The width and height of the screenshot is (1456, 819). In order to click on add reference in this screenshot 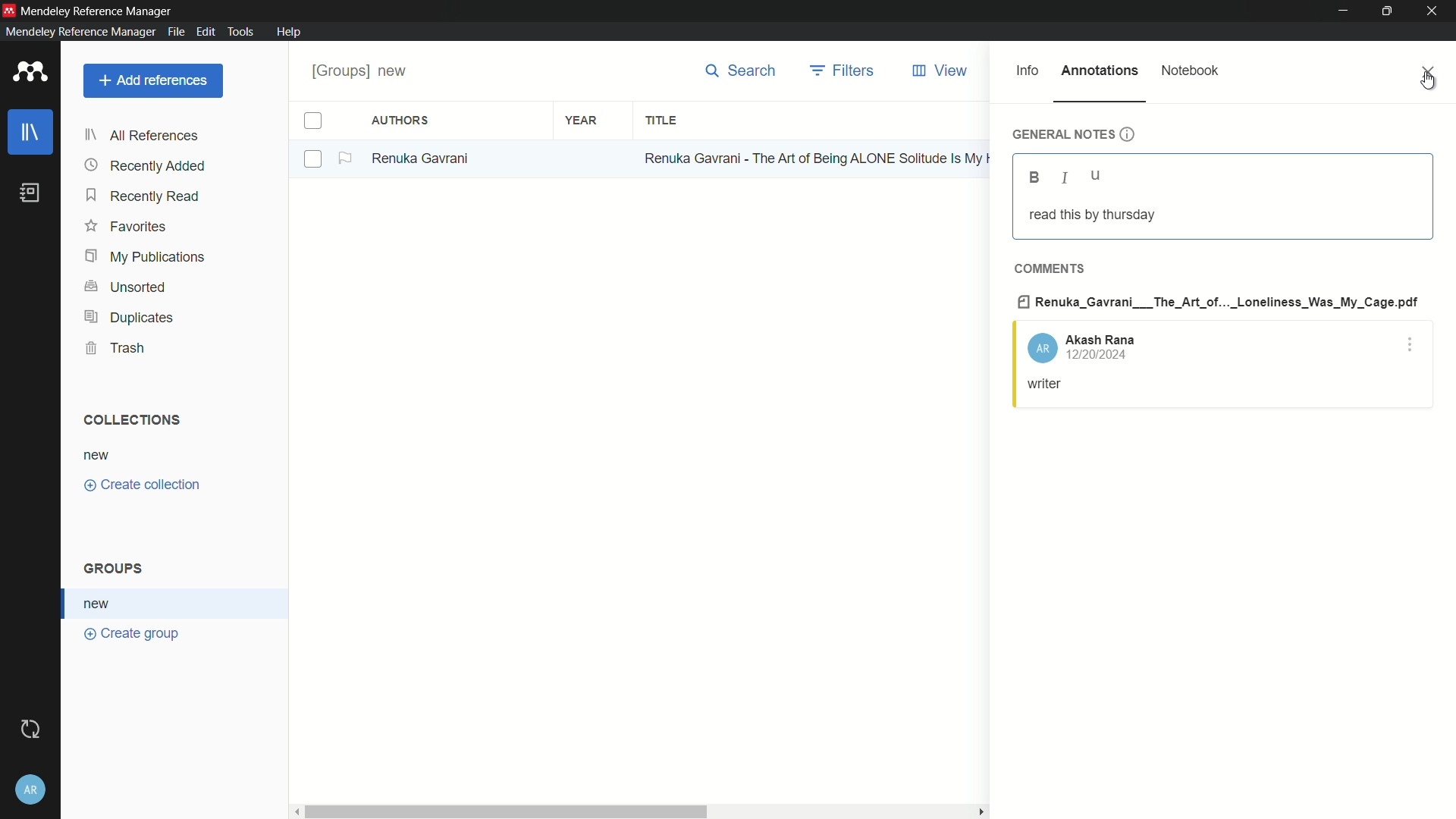, I will do `click(154, 80)`.